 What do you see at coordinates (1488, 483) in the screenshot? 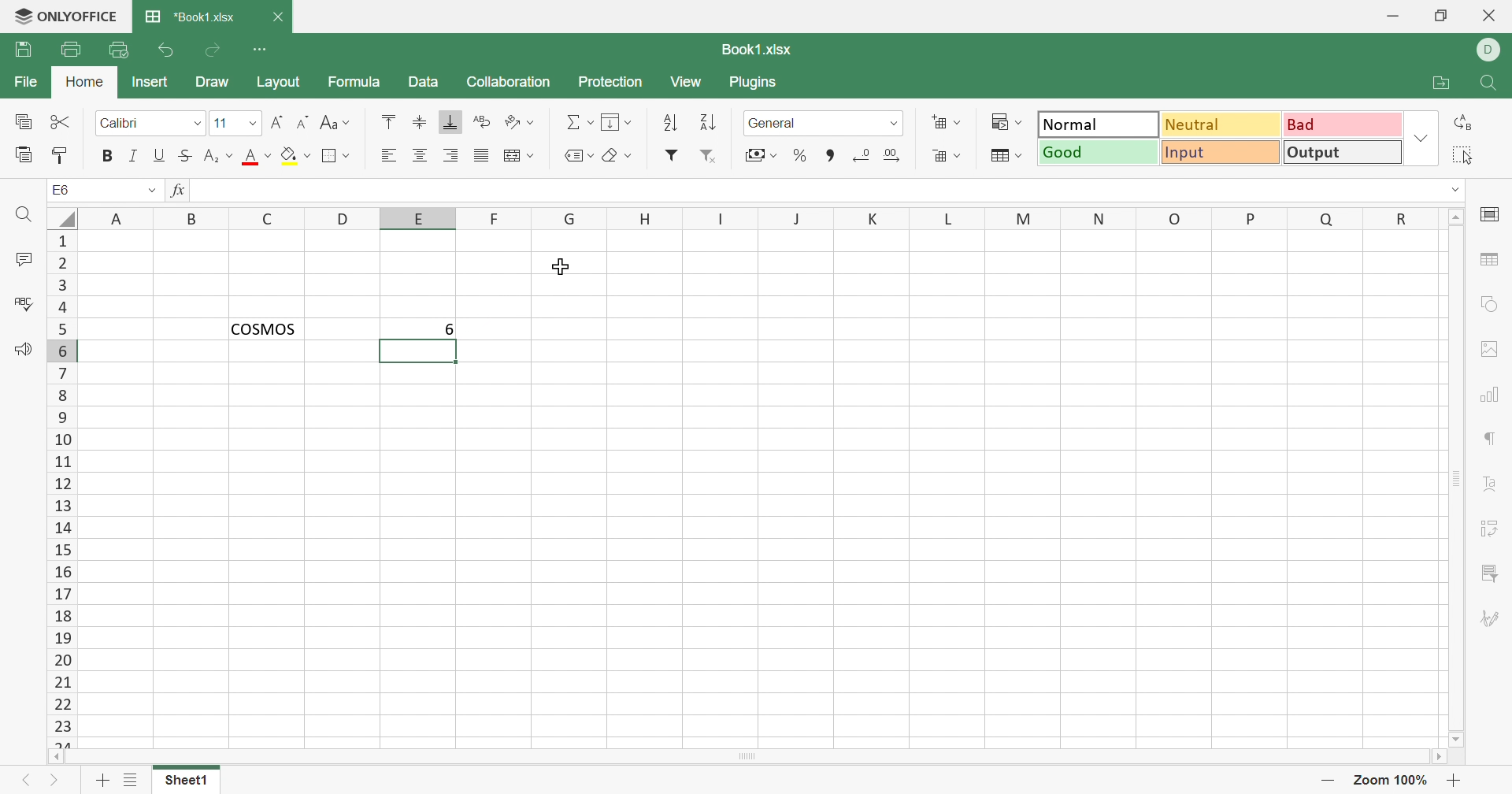
I see `Text art settings` at bounding box center [1488, 483].